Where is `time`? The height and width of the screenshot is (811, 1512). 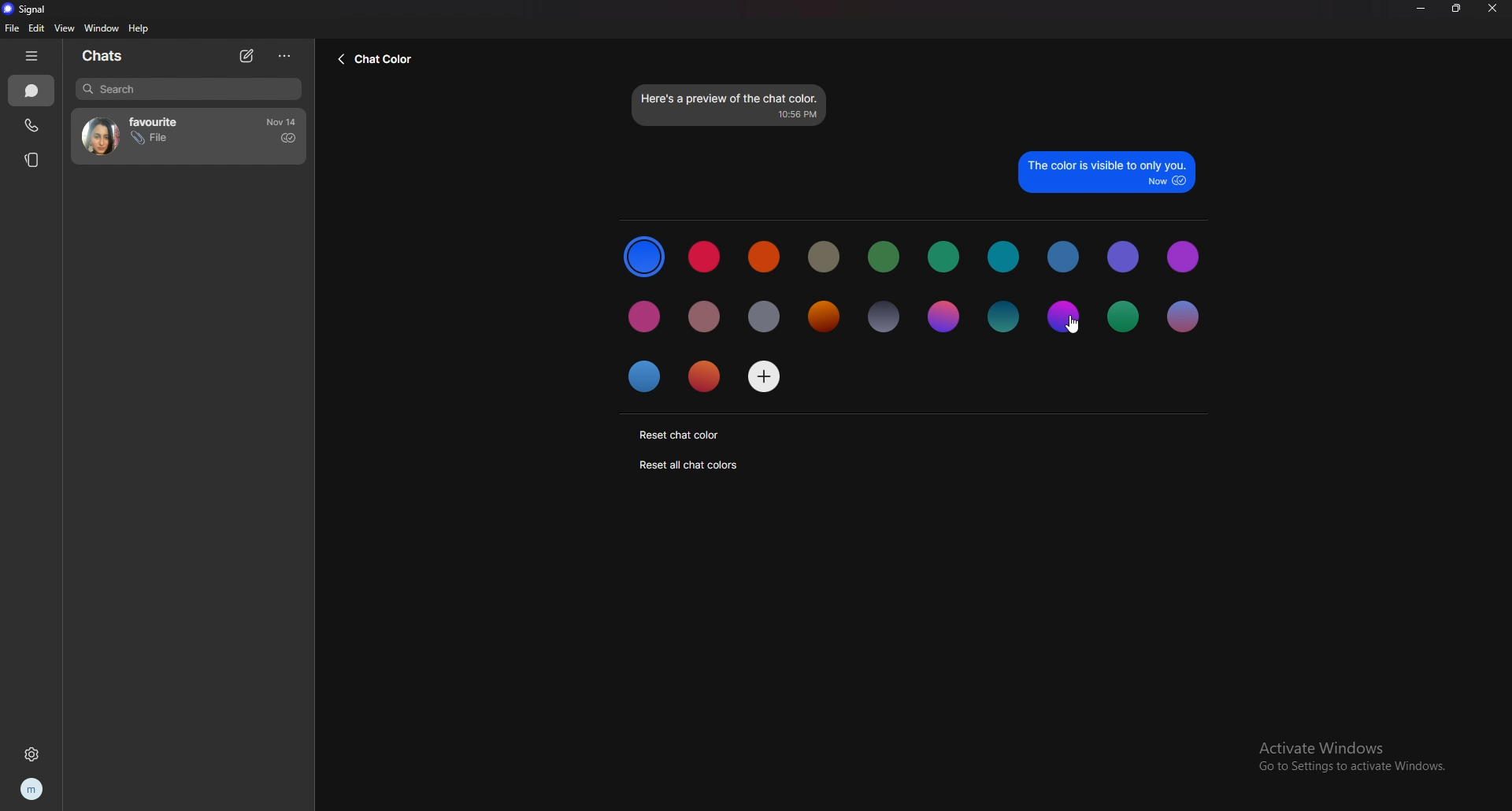
time is located at coordinates (283, 122).